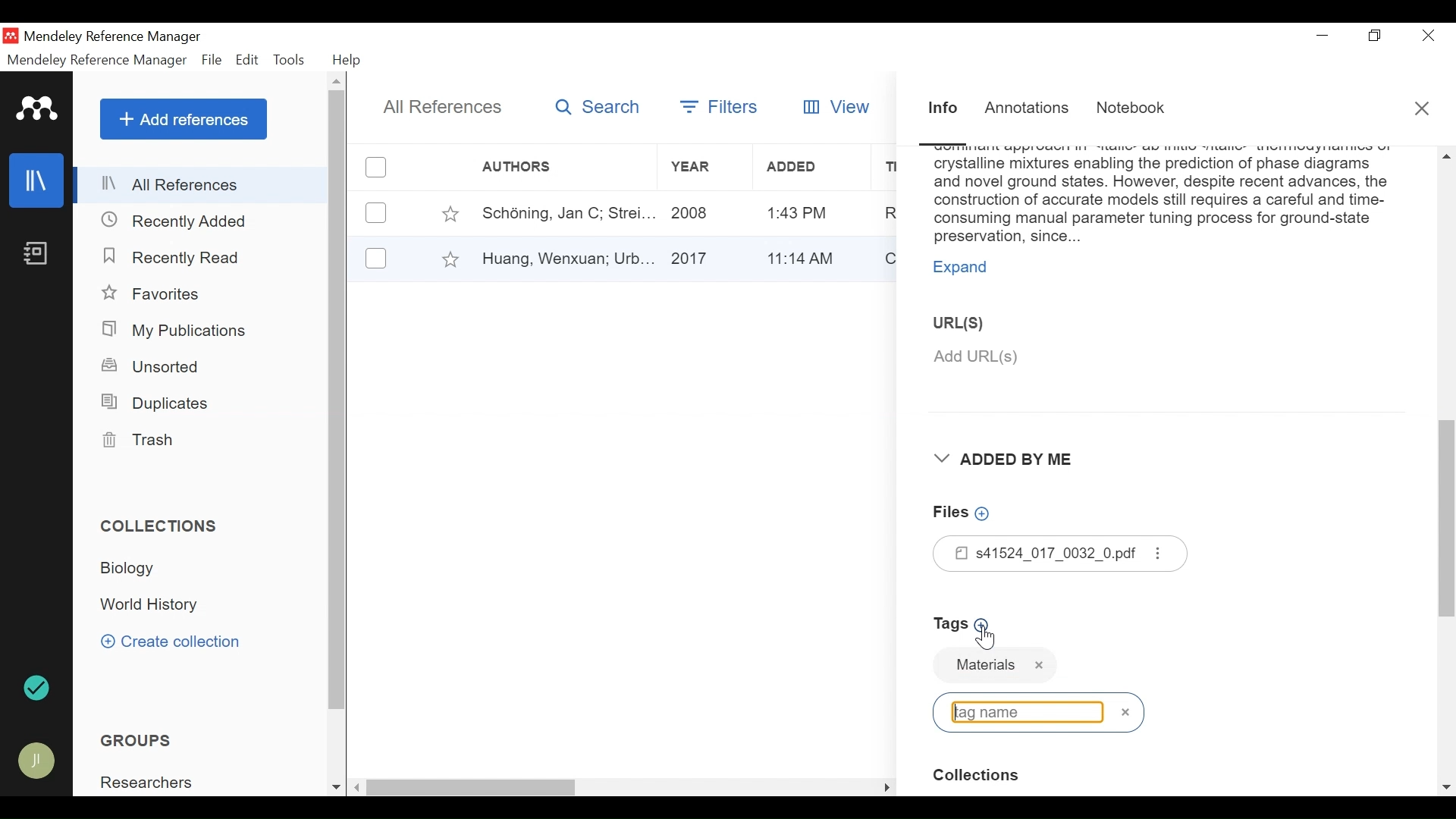 Image resolution: width=1456 pixels, height=819 pixels. I want to click on Search, so click(598, 107).